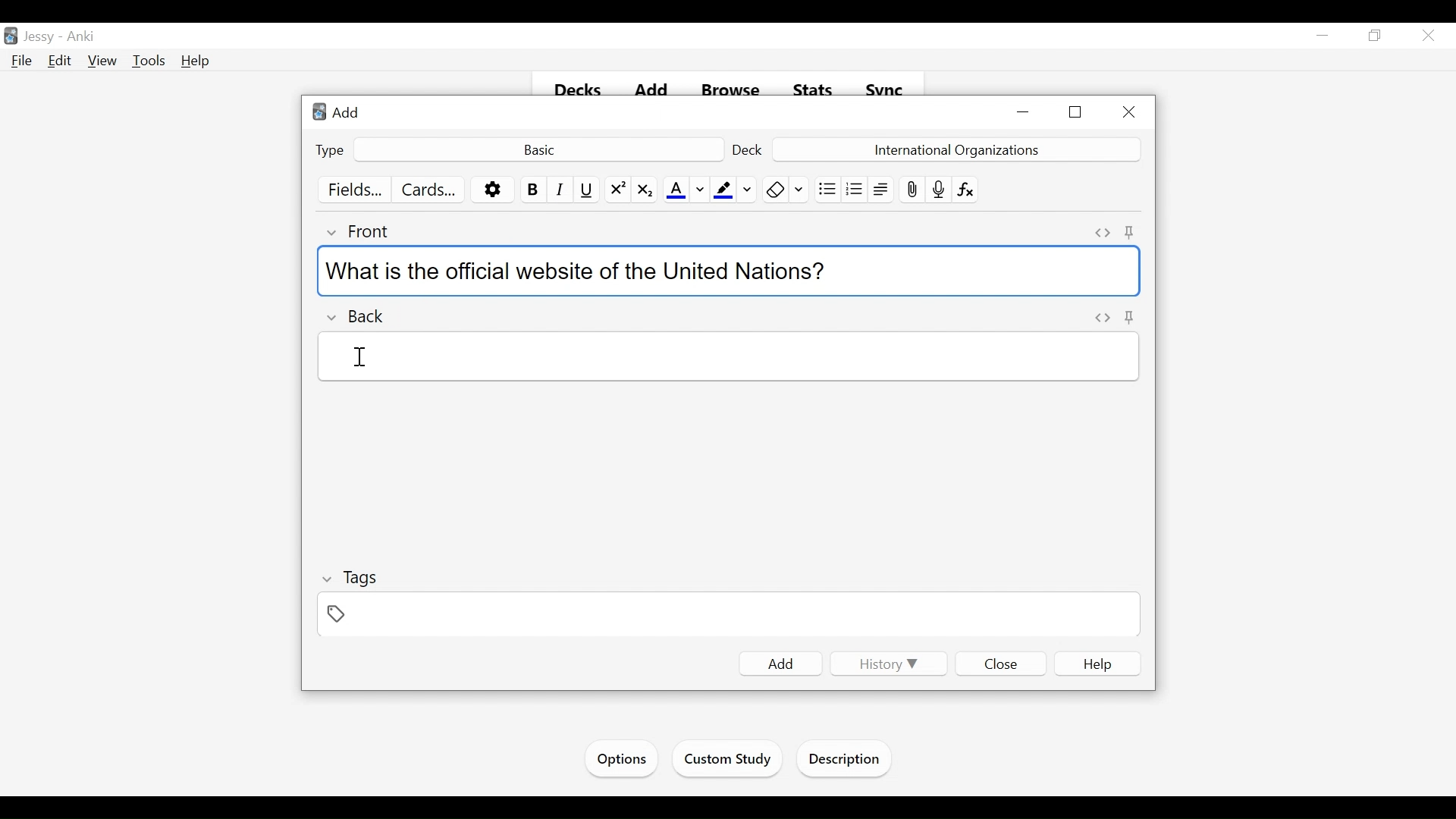 Image resolution: width=1456 pixels, height=819 pixels. What do you see at coordinates (560, 190) in the screenshot?
I see `Italics` at bounding box center [560, 190].